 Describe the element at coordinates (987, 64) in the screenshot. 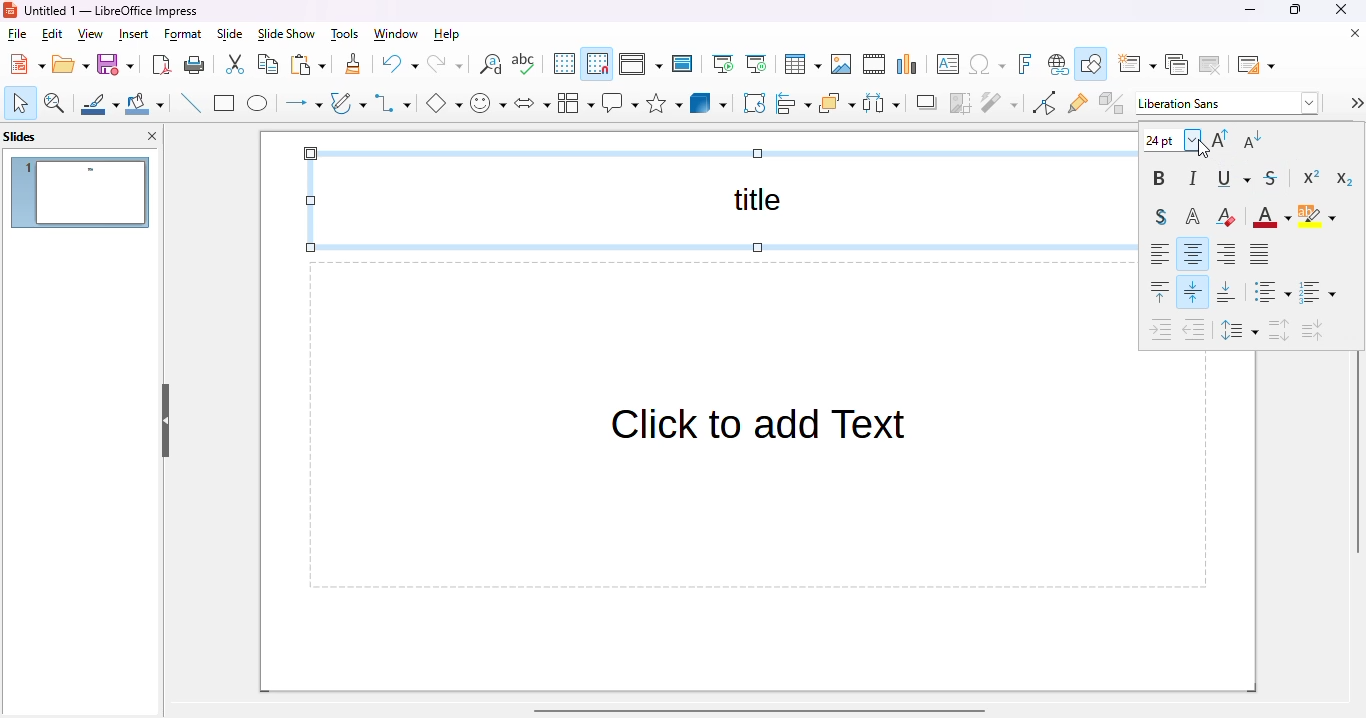

I see `insert special characters` at that location.